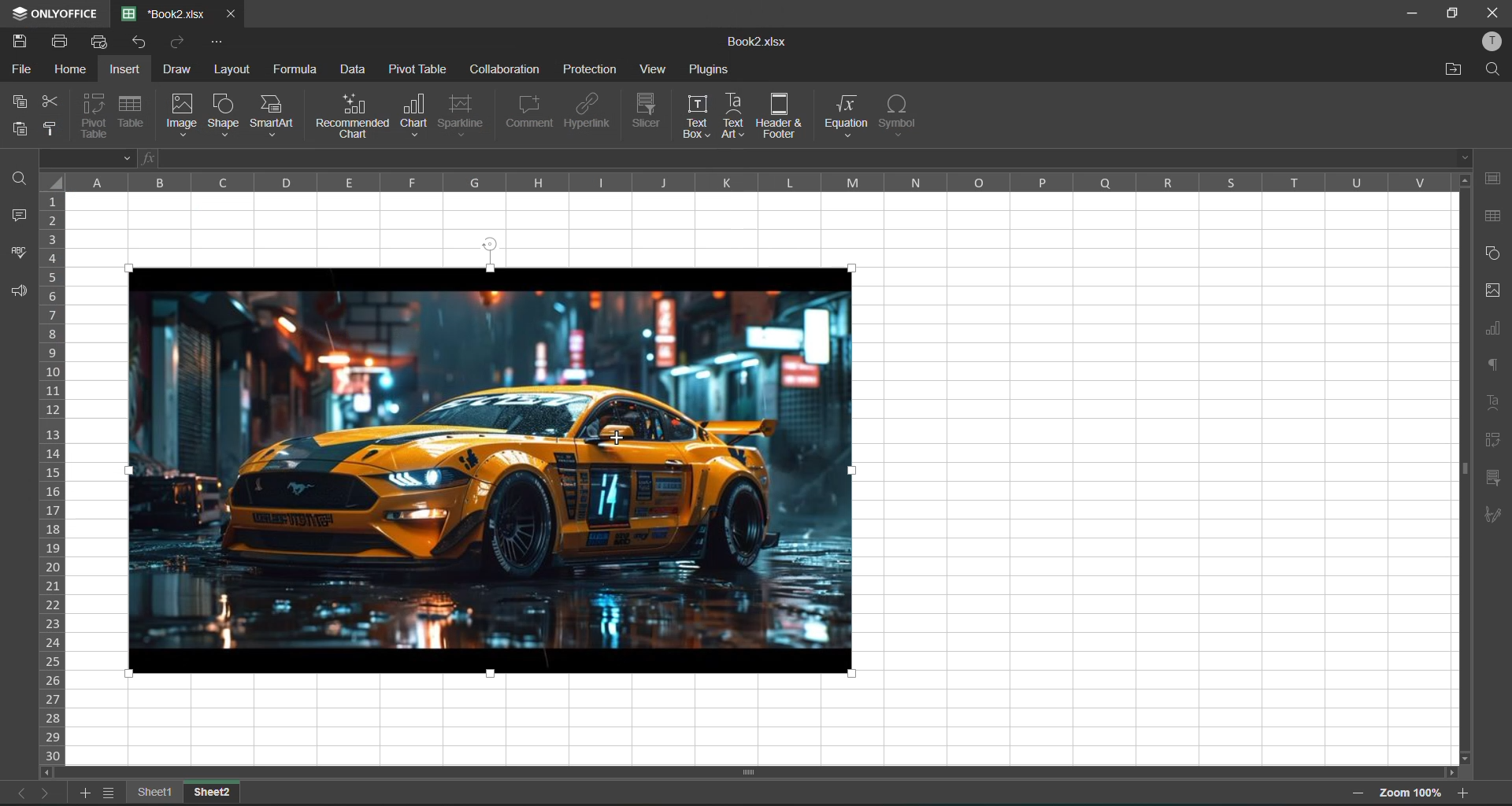 The width and height of the screenshot is (1512, 806). I want to click on ONLY OFFICE, so click(53, 12).